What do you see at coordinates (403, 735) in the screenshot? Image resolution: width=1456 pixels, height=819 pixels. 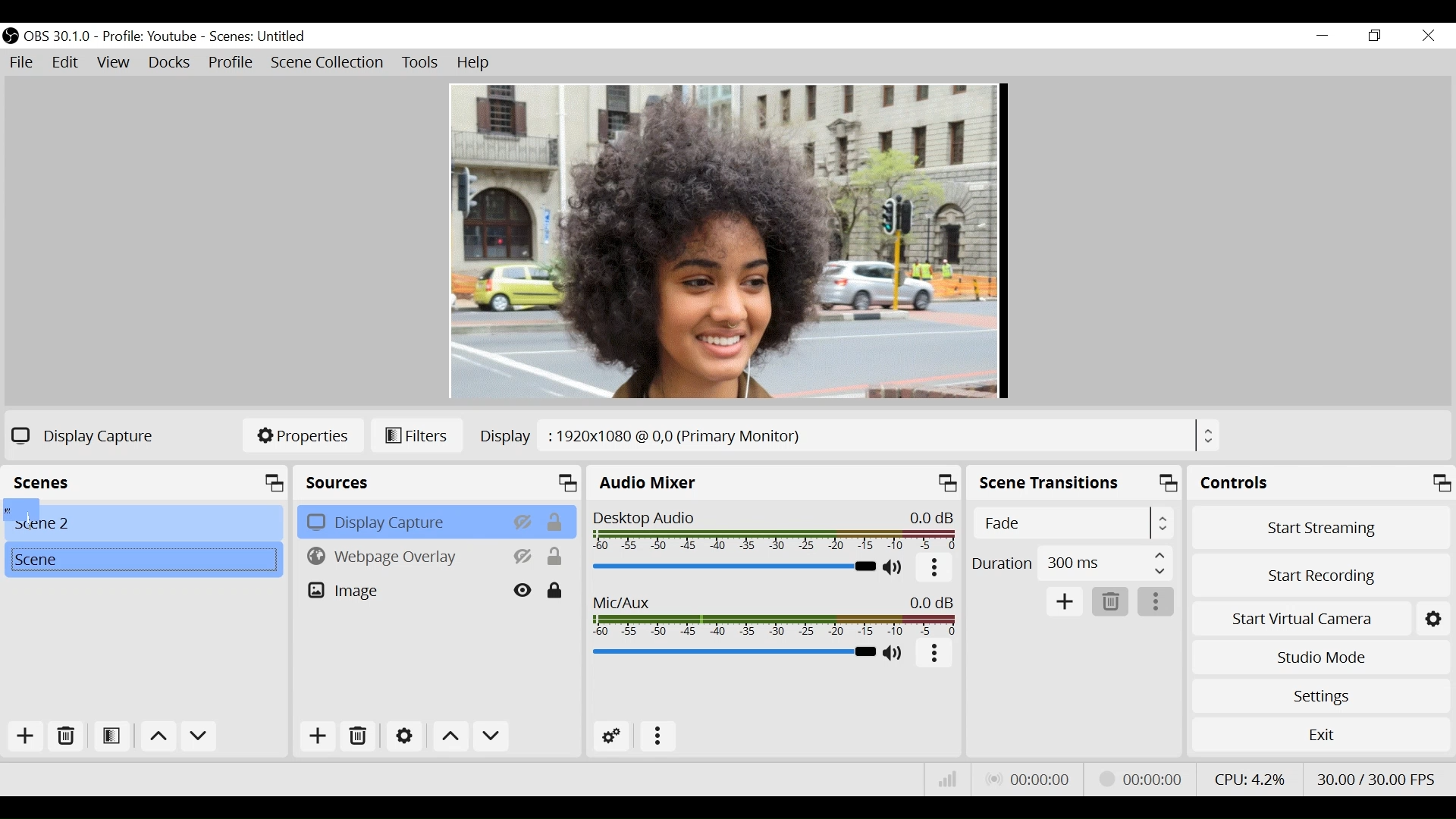 I see `Settings` at bounding box center [403, 735].